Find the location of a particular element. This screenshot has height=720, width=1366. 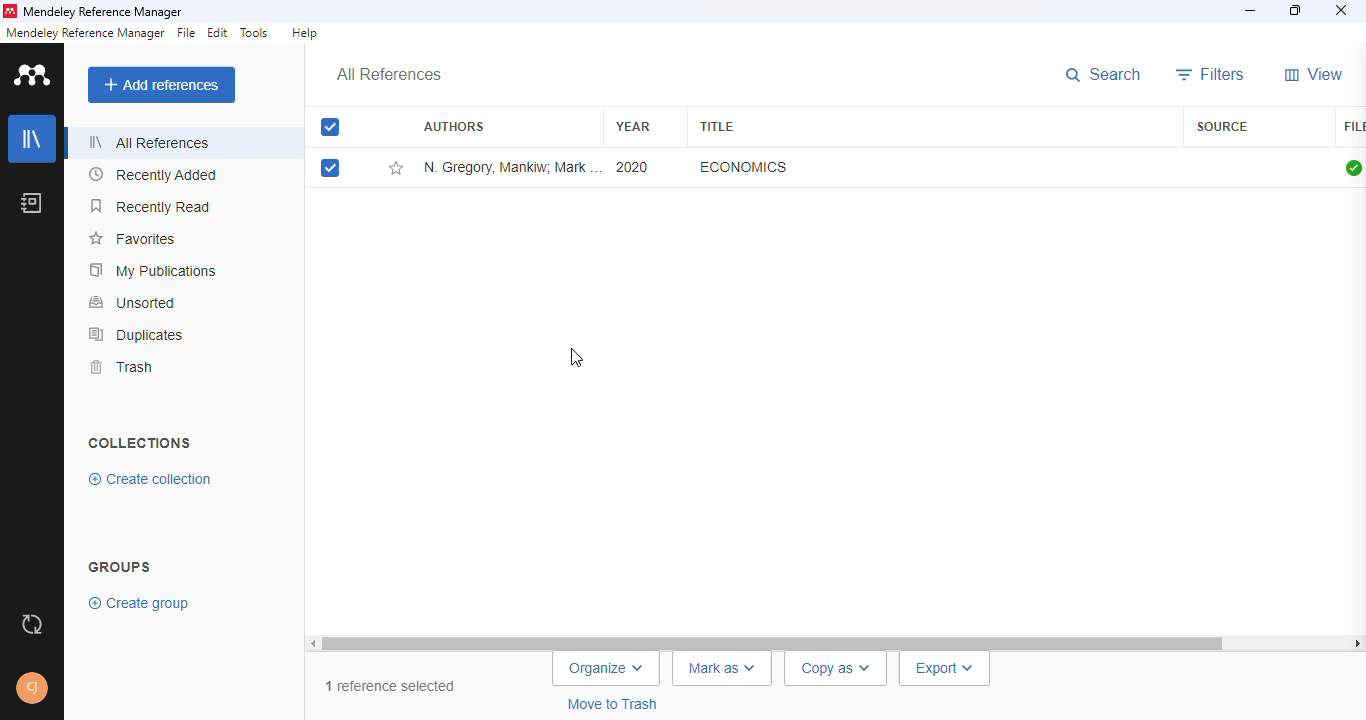

all references is located at coordinates (389, 74).